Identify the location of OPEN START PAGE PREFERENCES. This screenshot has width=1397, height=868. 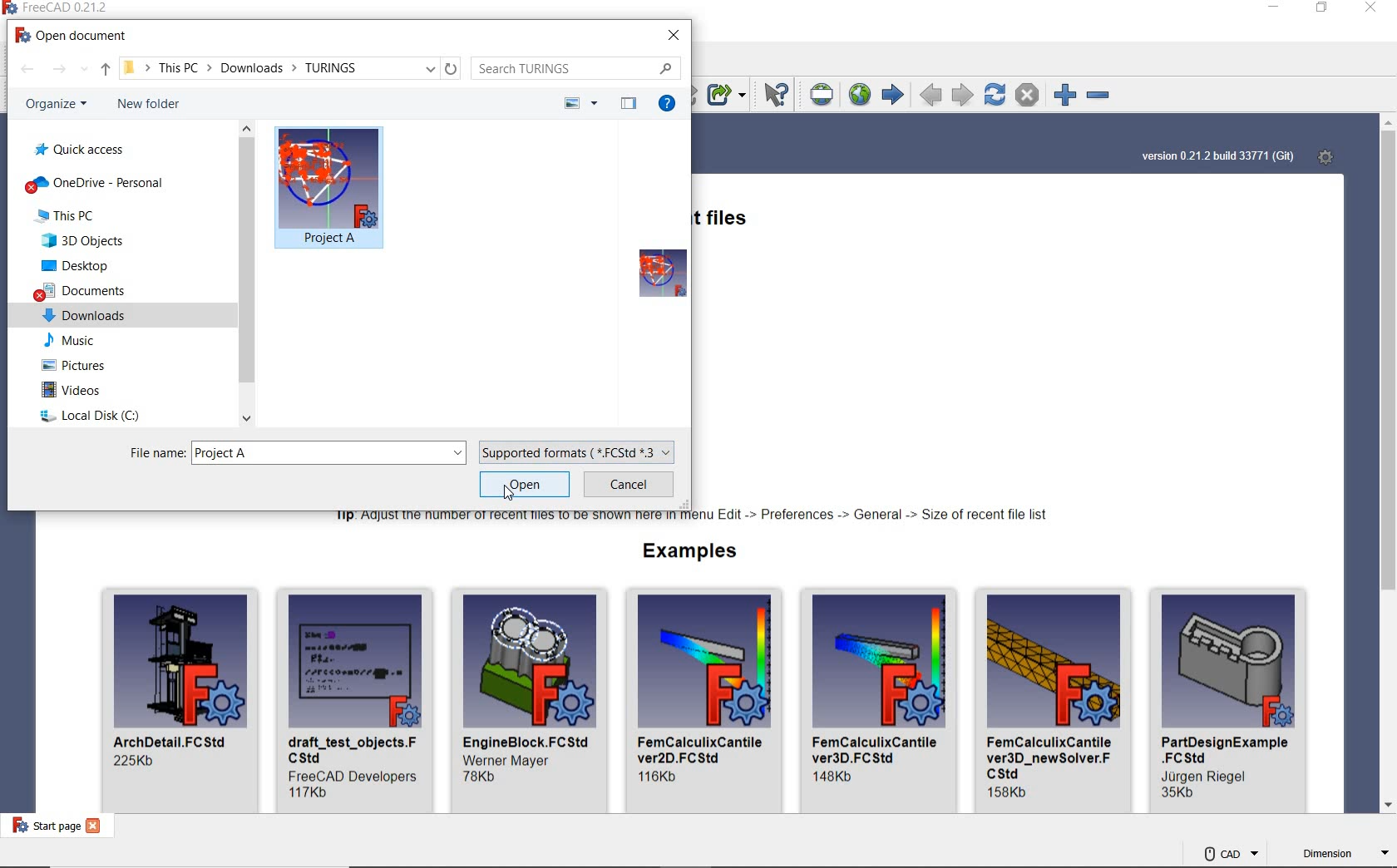
(1323, 155).